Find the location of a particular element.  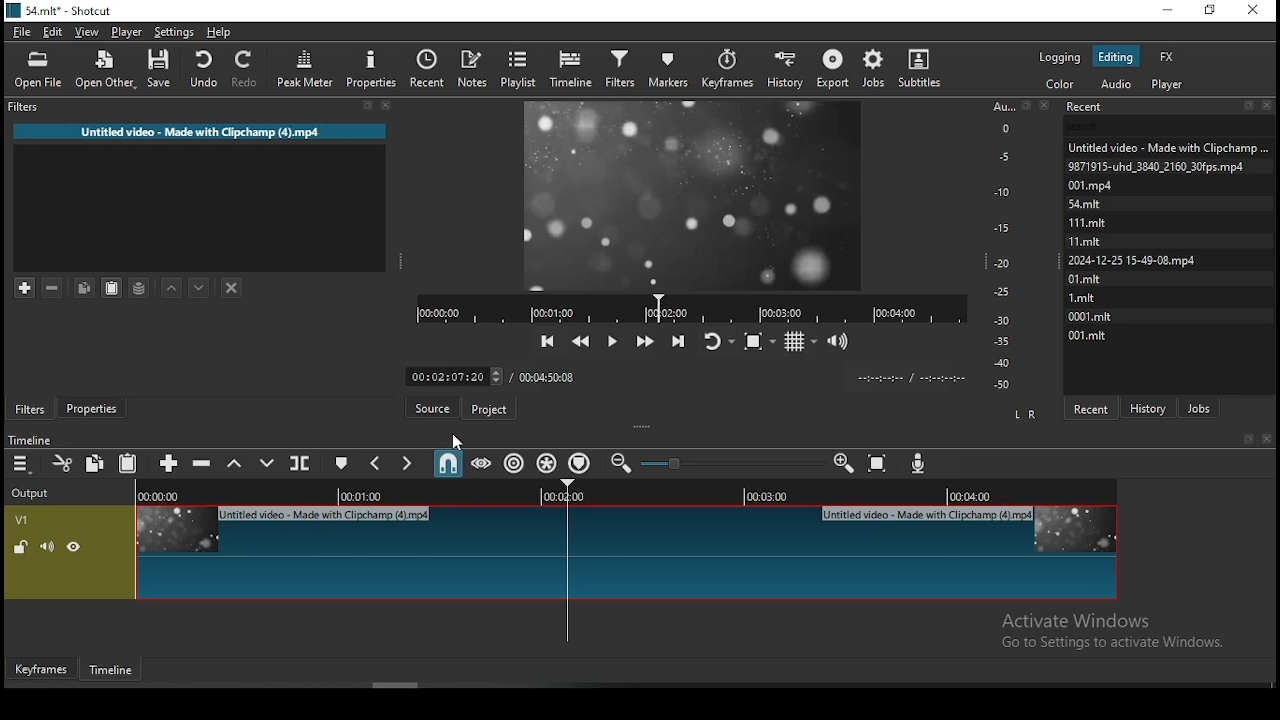

scale is located at coordinates (1007, 244).